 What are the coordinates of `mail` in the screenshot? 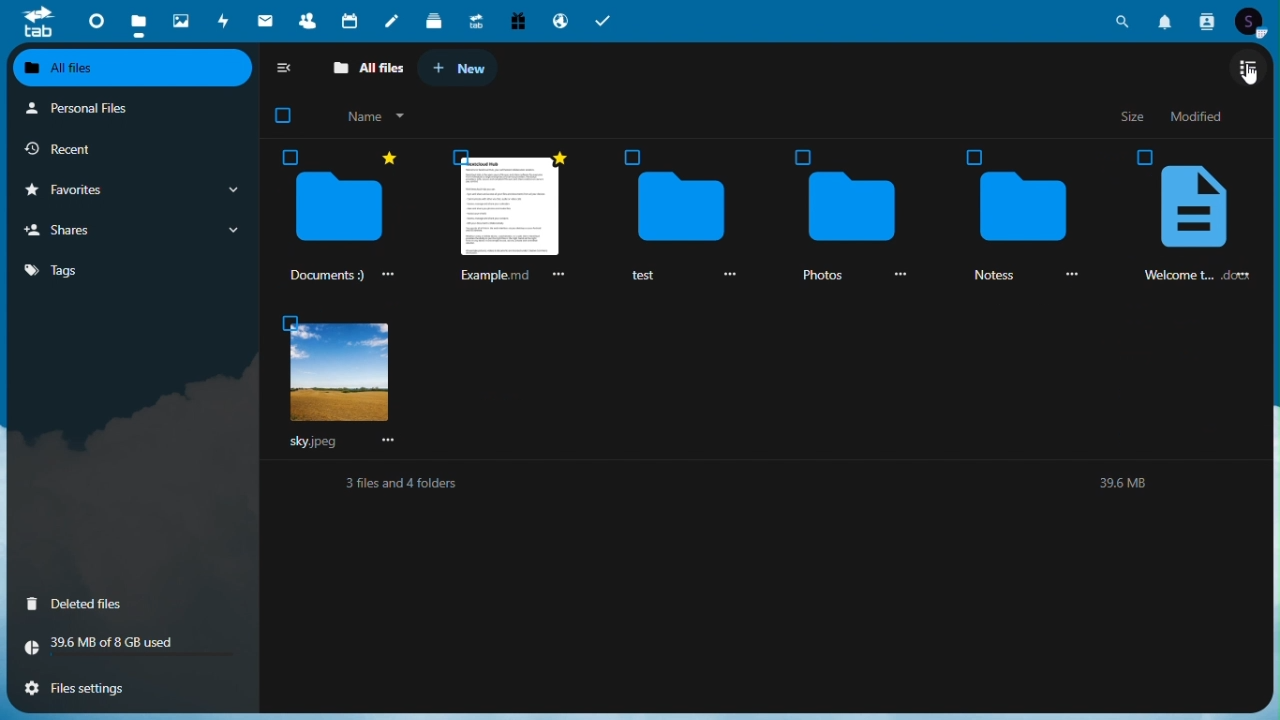 It's located at (265, 18).